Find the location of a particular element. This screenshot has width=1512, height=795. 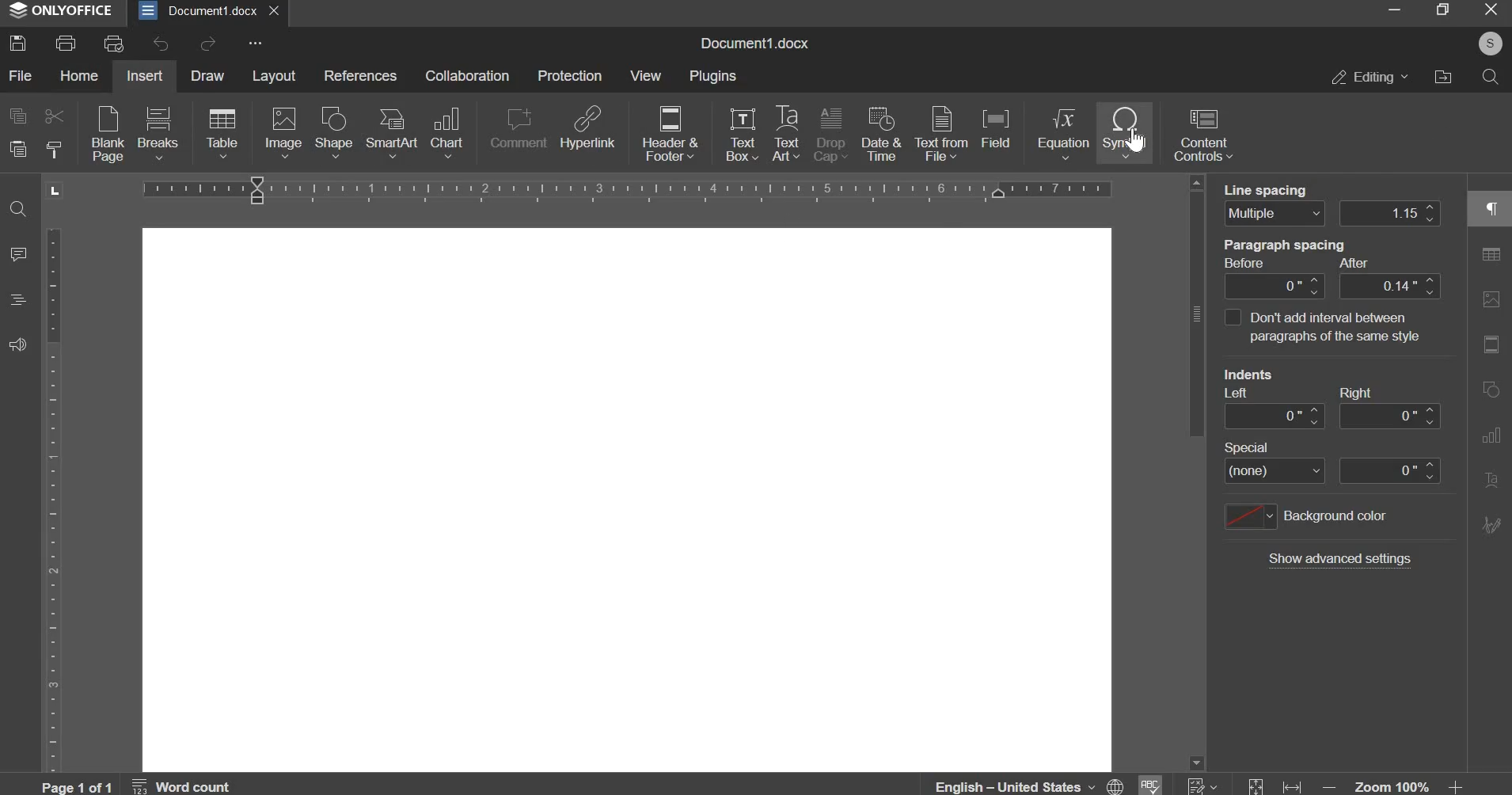

image is located at coordinates (283, 131).